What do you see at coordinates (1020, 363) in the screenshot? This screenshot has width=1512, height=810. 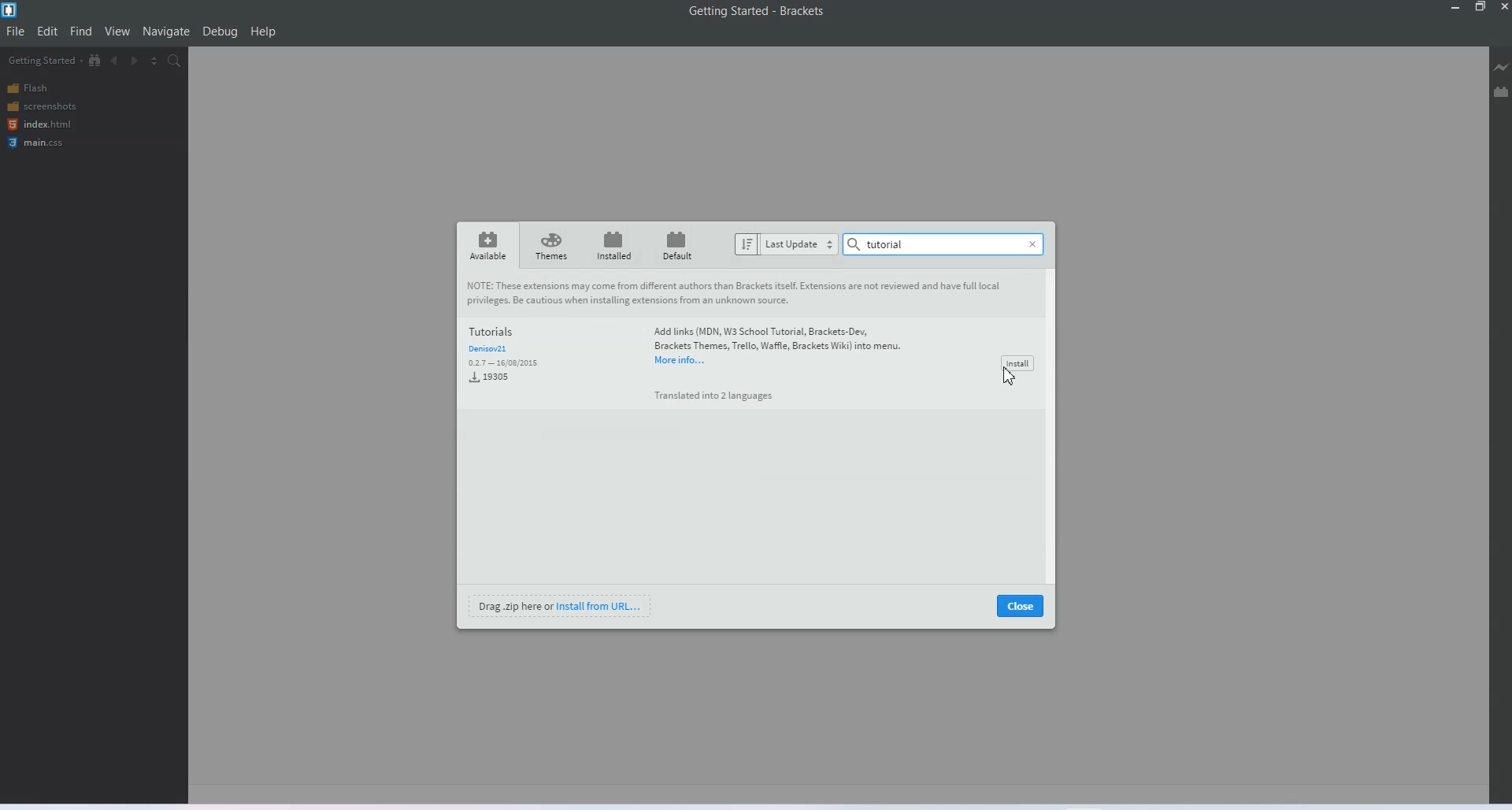 I see `Install` at bounding box center [1020, 363].